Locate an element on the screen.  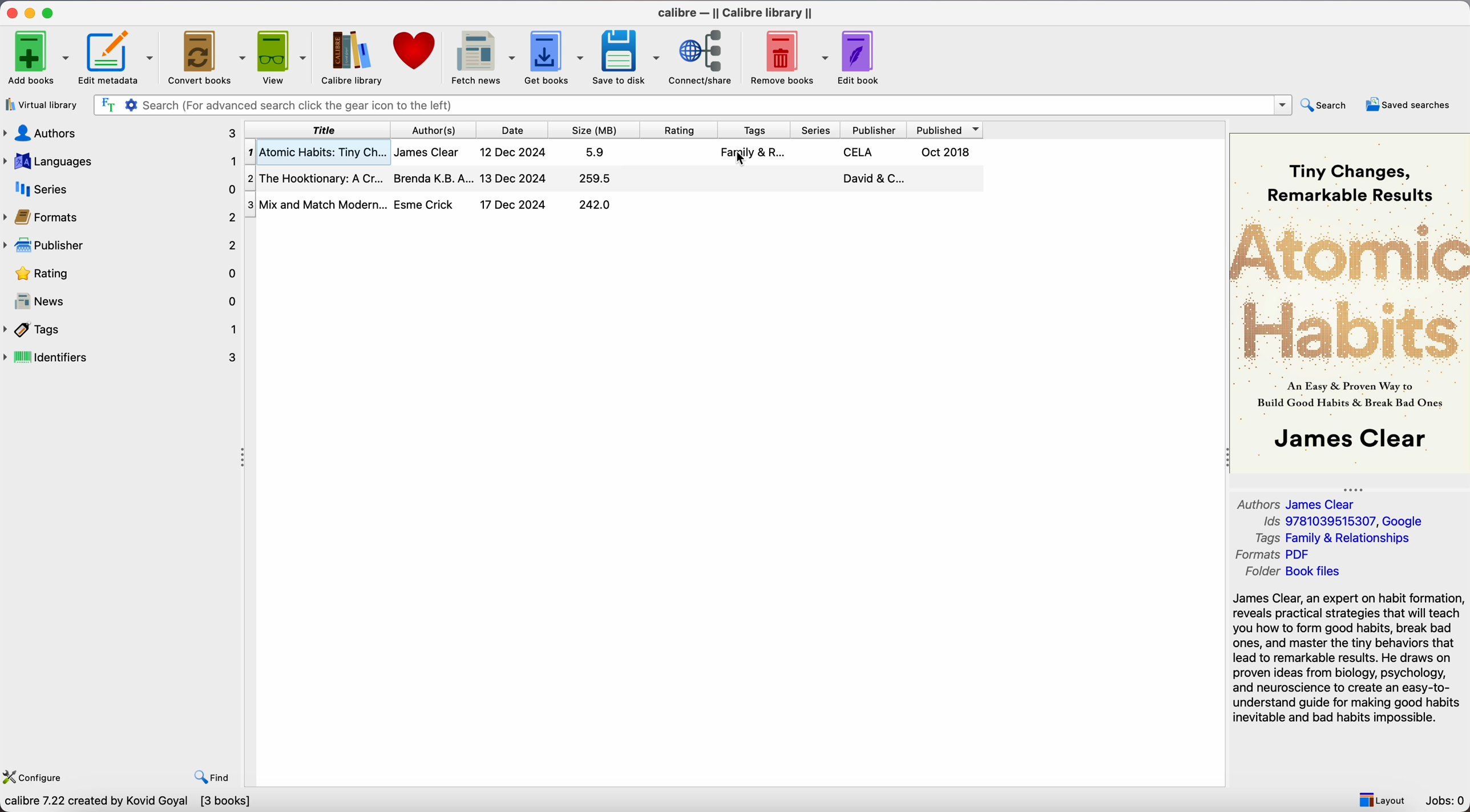
book cover preview is located at coordinates (1350, 302).